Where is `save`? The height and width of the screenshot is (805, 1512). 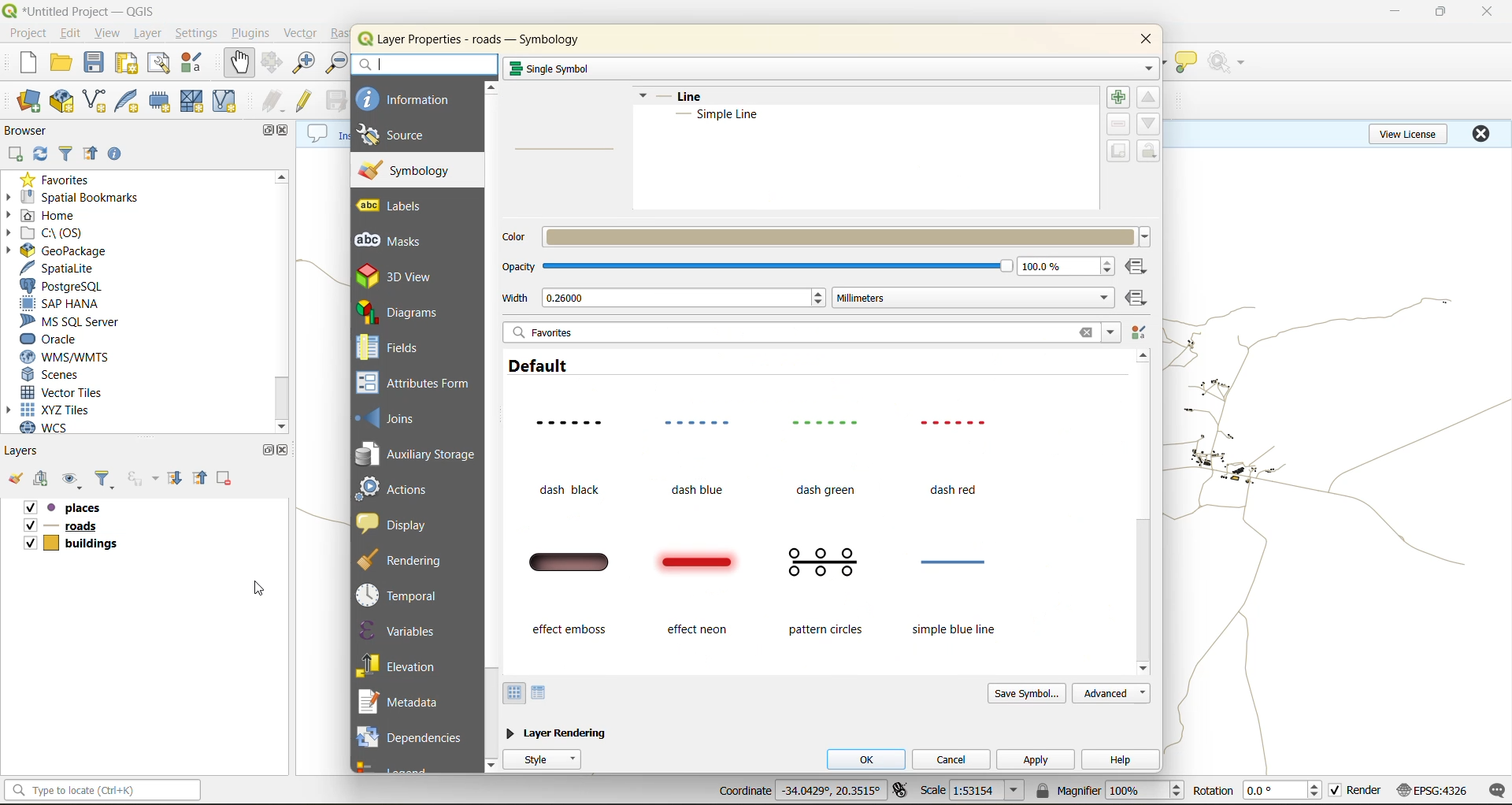
save is located at coordinates (94, 62).